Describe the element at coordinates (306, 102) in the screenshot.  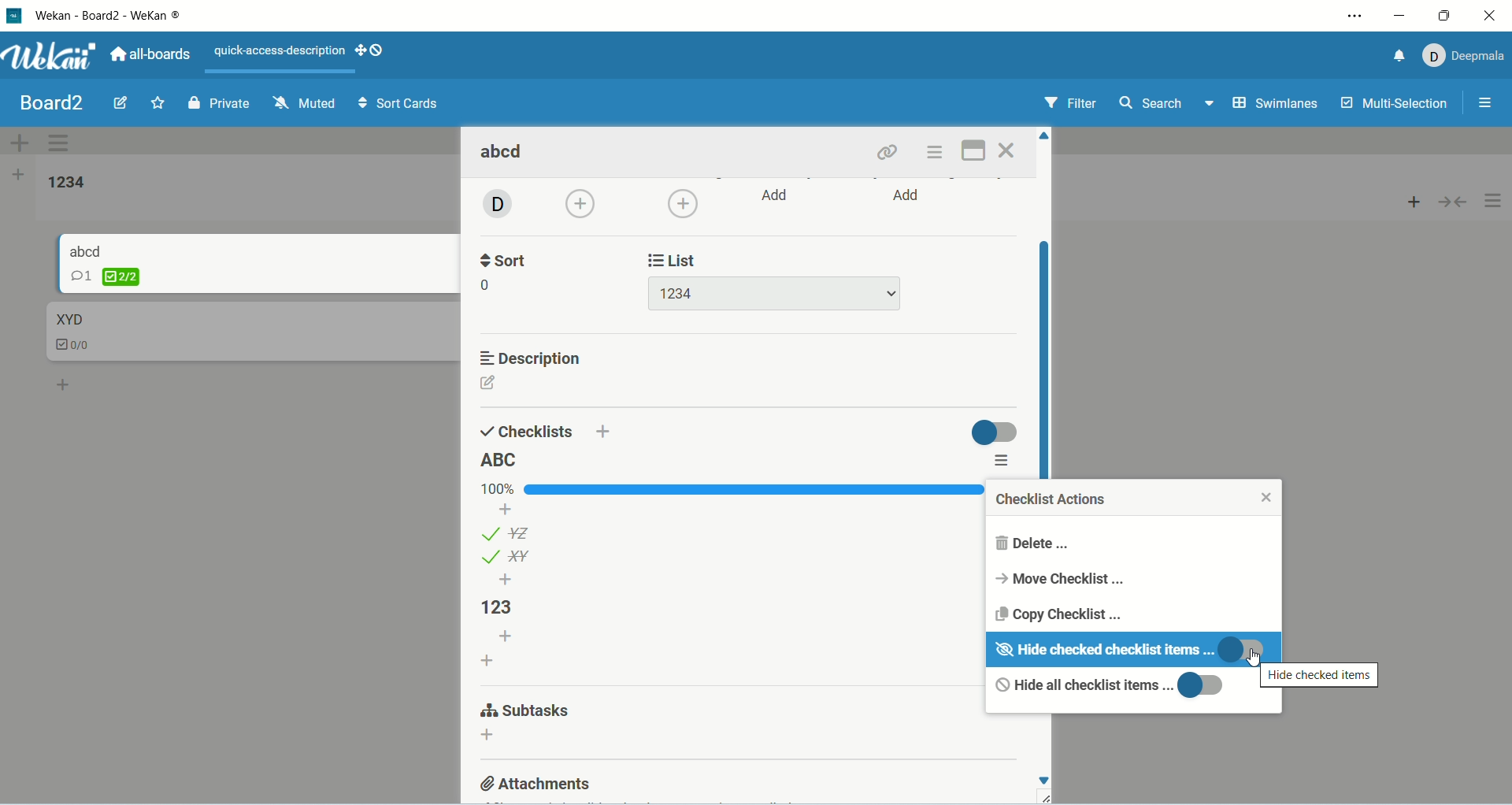
I see `muted` at that location.